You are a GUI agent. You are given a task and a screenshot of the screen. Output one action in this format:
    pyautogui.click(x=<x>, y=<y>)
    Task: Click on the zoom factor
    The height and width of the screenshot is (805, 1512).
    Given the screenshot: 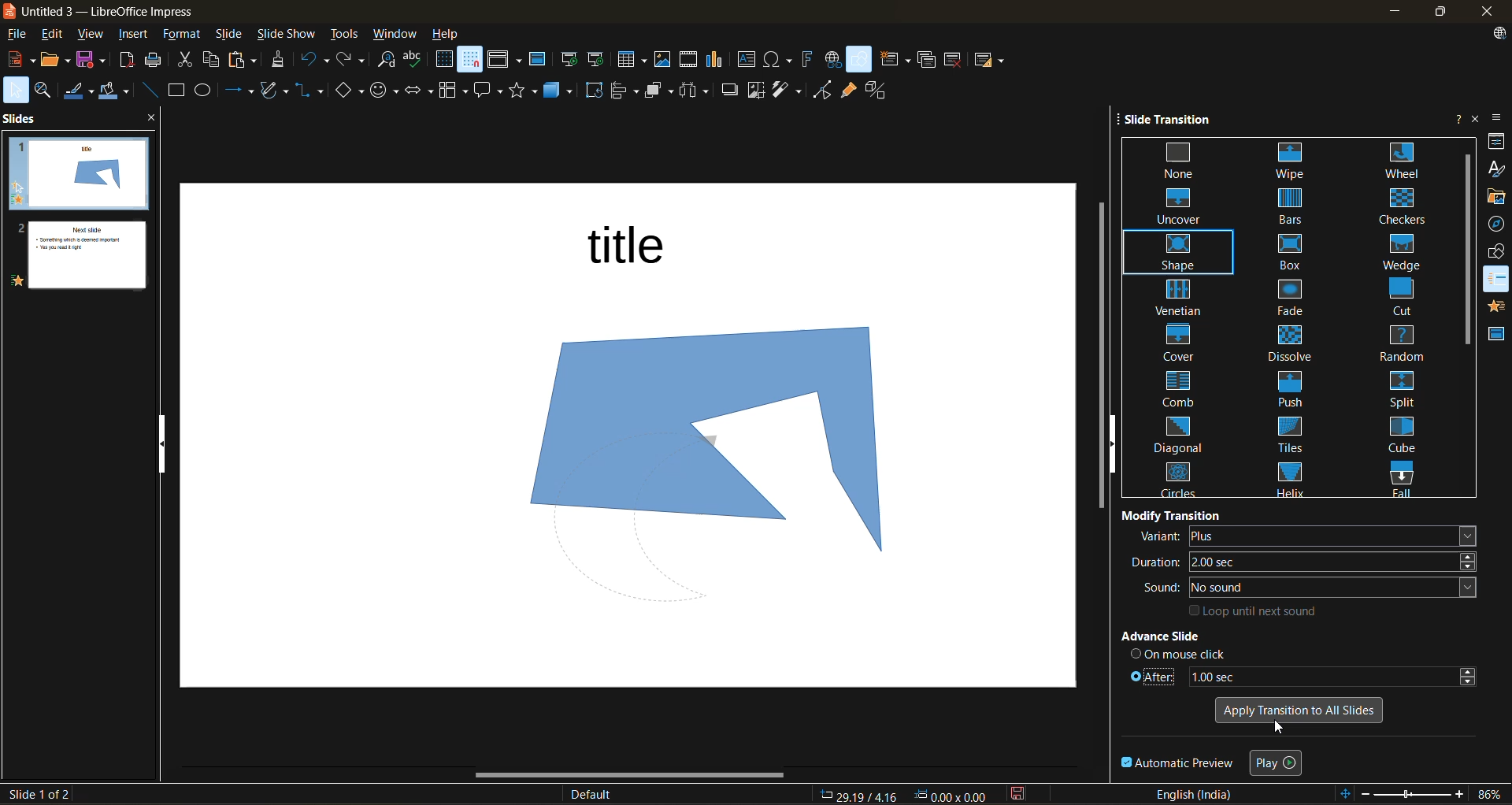 What is the action you would take?
    pyautogui.click(x=1488, y=793)
    